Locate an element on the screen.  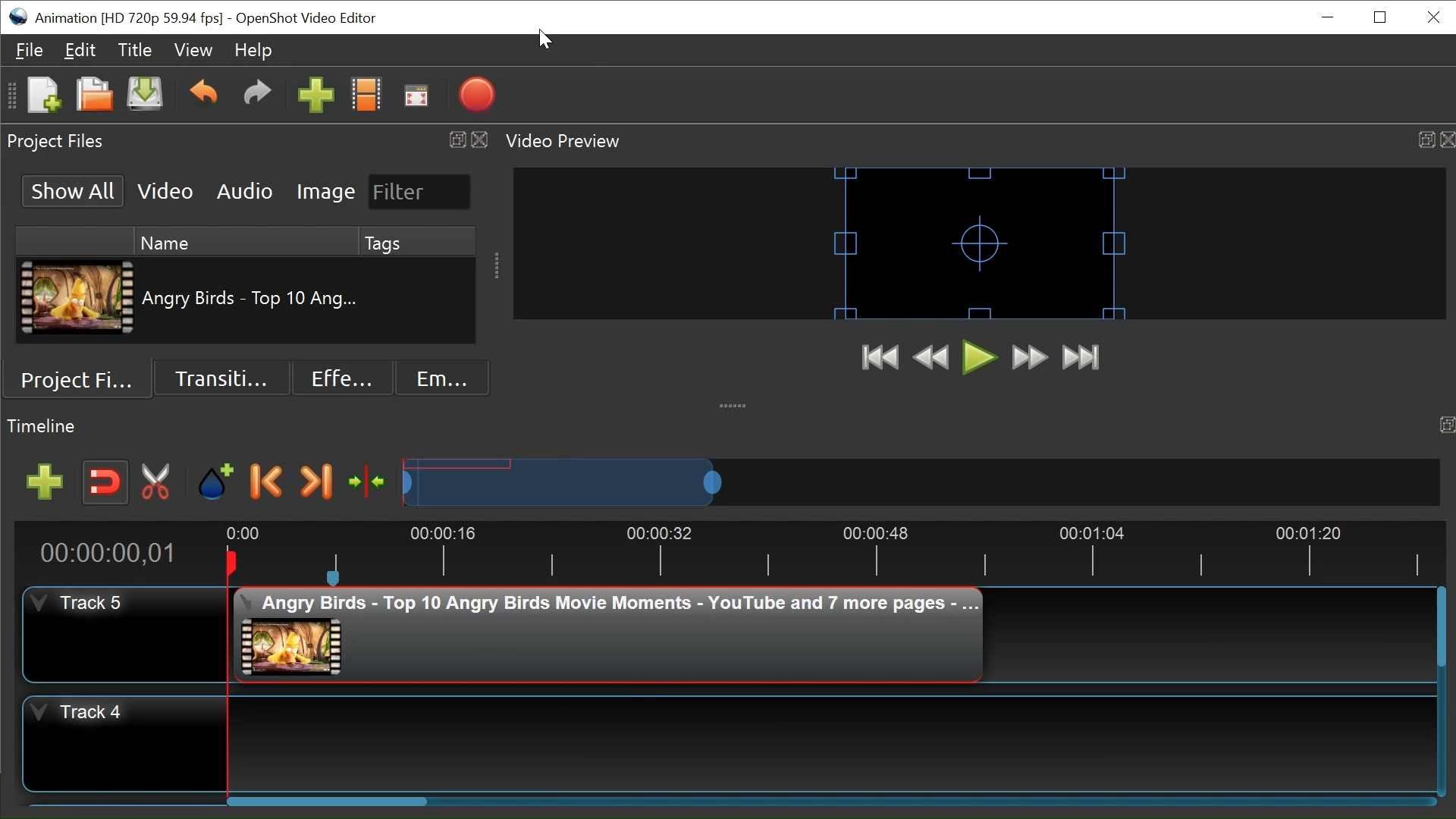
Save Project is located at coordinates (145, 96).